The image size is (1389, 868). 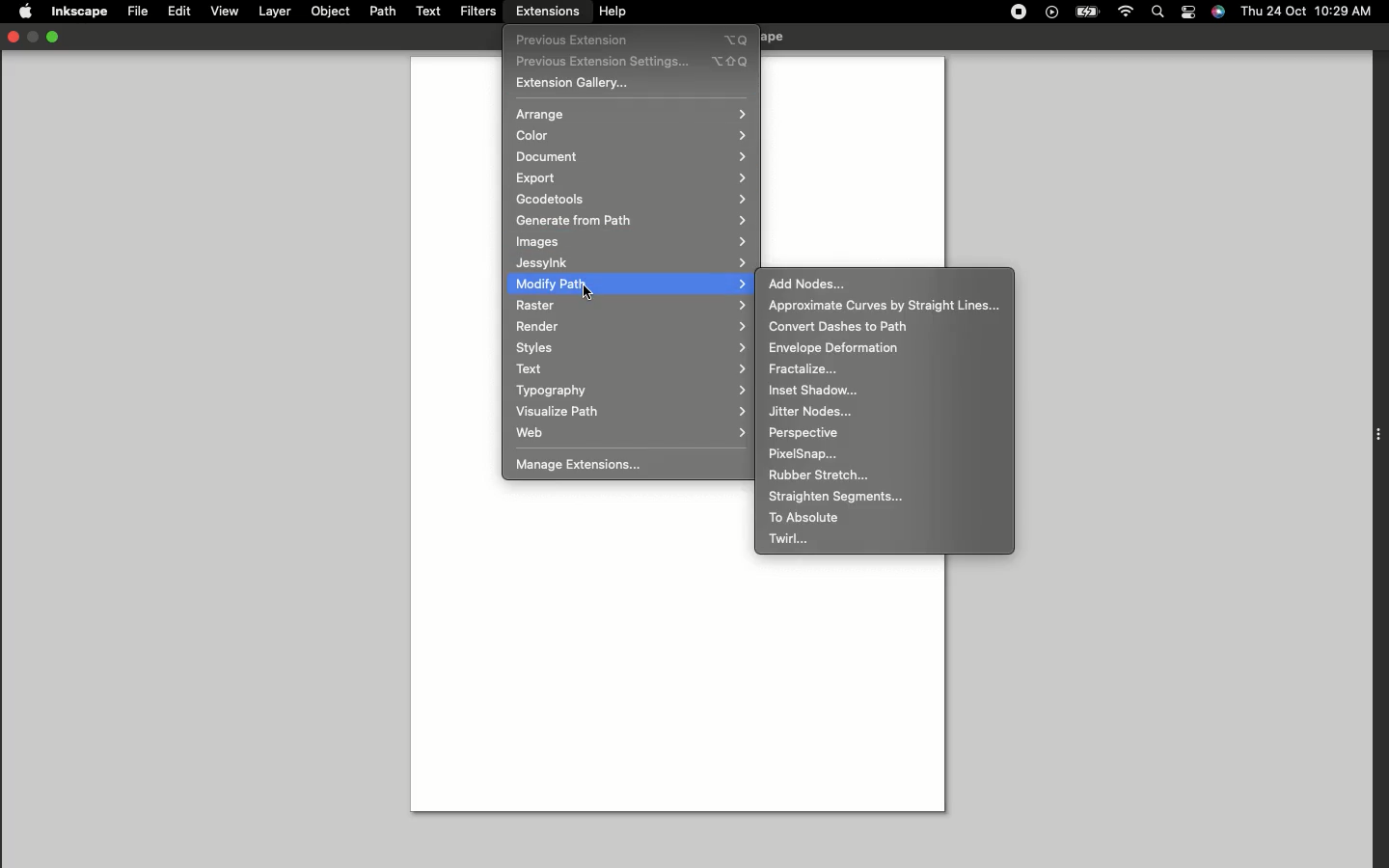 I want to click on Help, so click(x=613, y=11).